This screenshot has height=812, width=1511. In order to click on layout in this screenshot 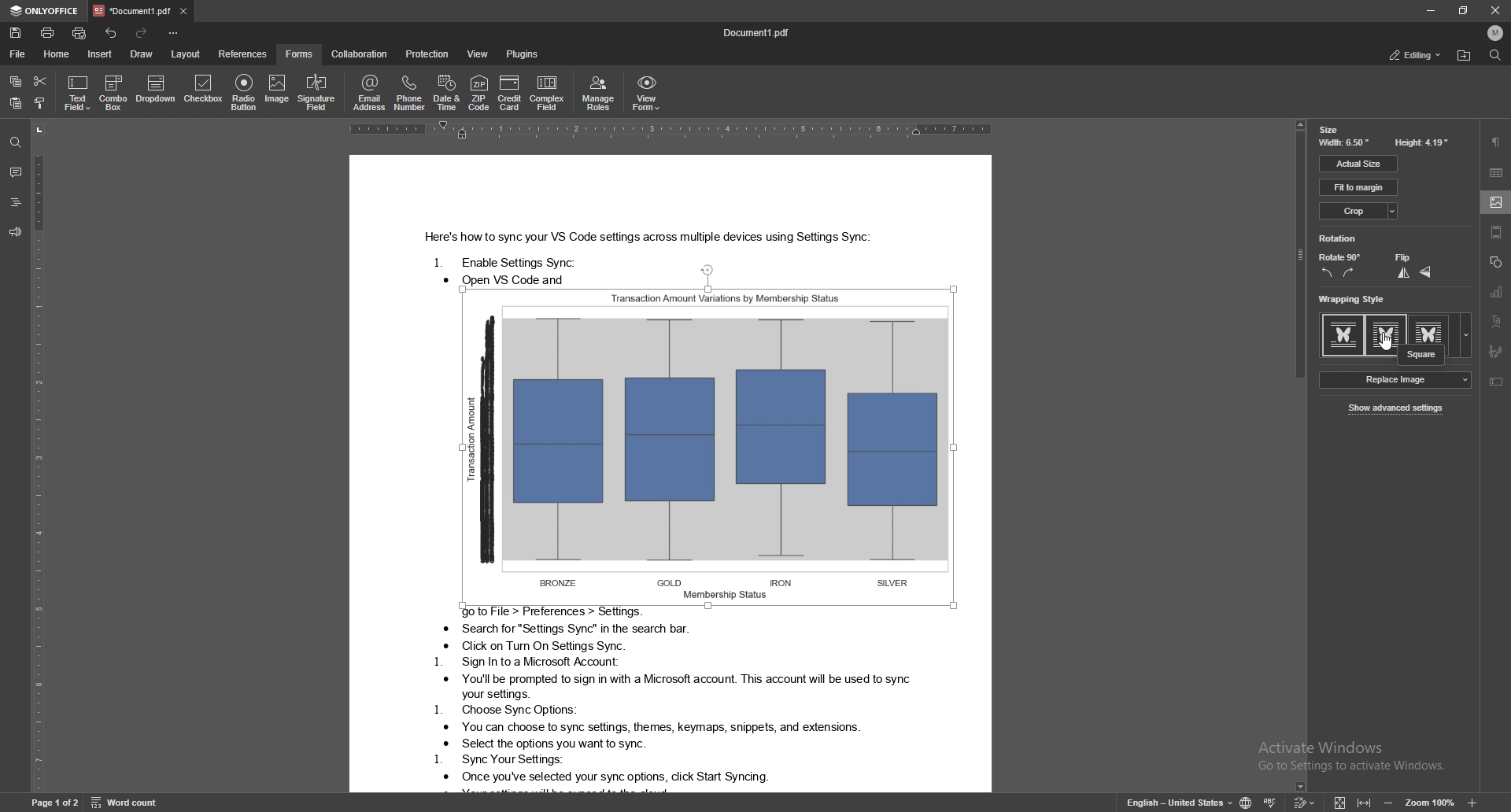, I will do `click(186, 54)`.